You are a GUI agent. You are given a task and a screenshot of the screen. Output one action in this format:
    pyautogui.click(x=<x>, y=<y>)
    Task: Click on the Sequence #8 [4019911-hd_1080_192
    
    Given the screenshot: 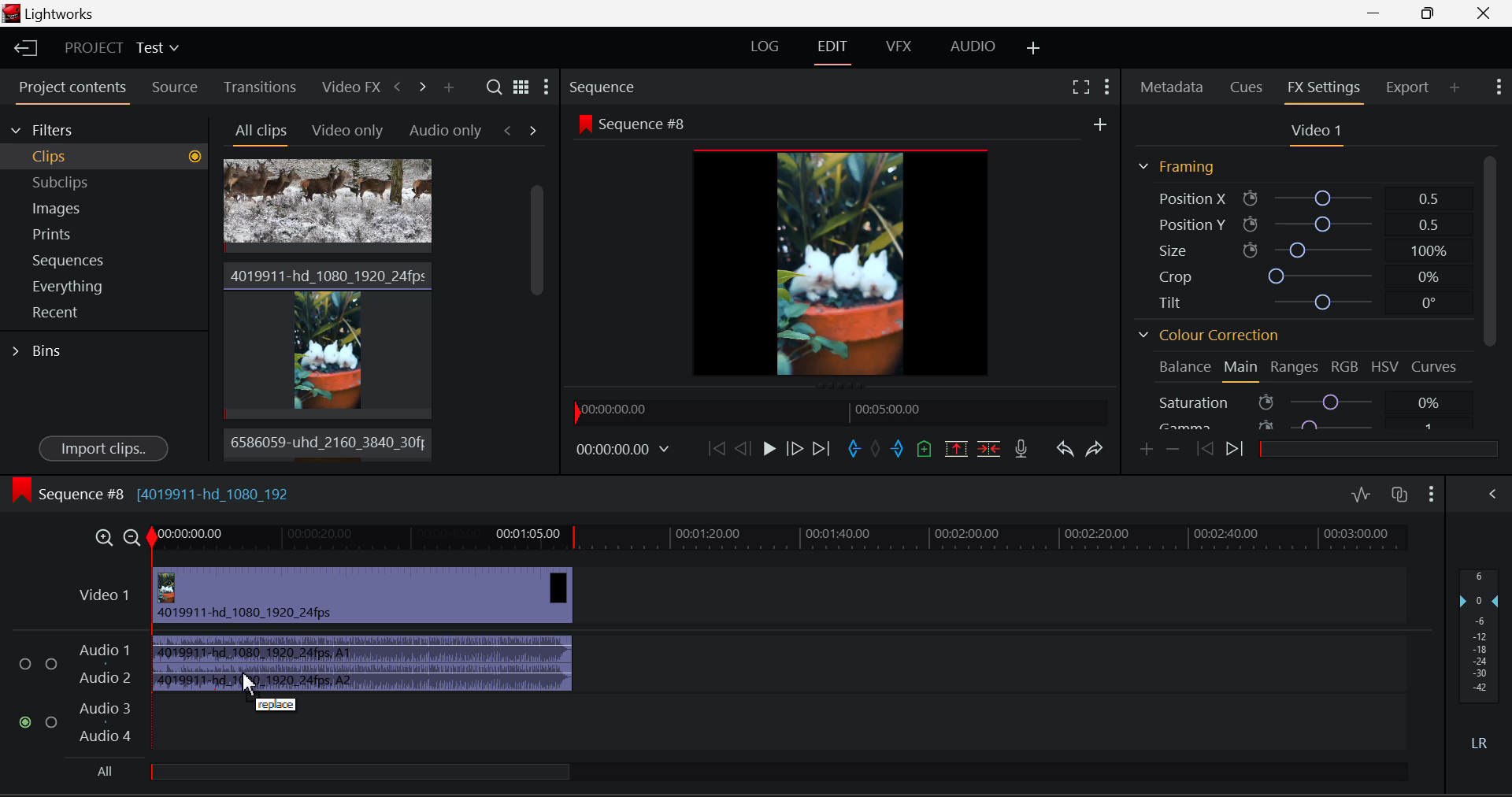 What is the action you would take?
    pyautogui.click(x=152, y=490)
    